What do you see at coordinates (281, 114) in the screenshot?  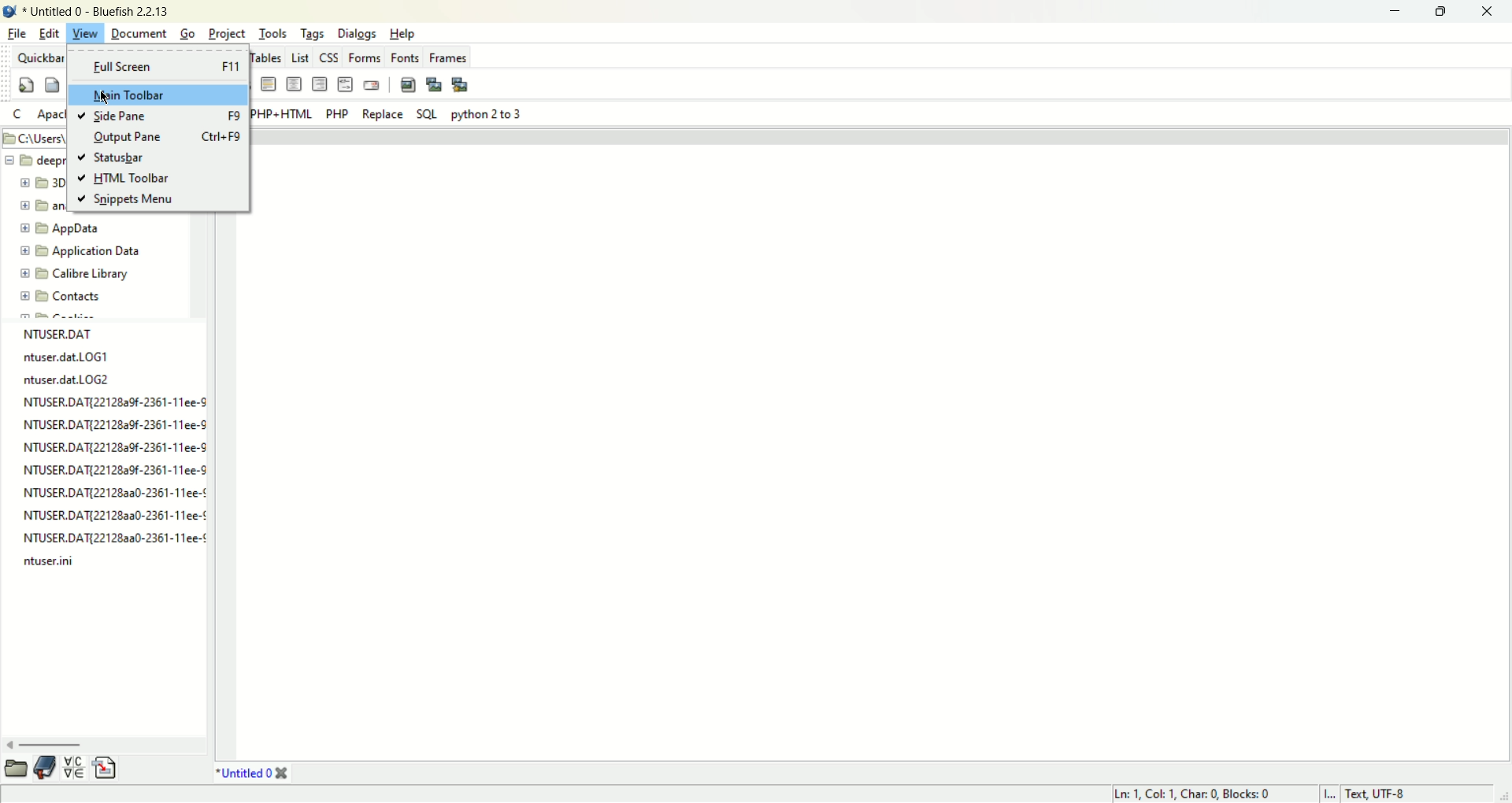 I see `PHP+HTML` at bounding box center [281, 114].